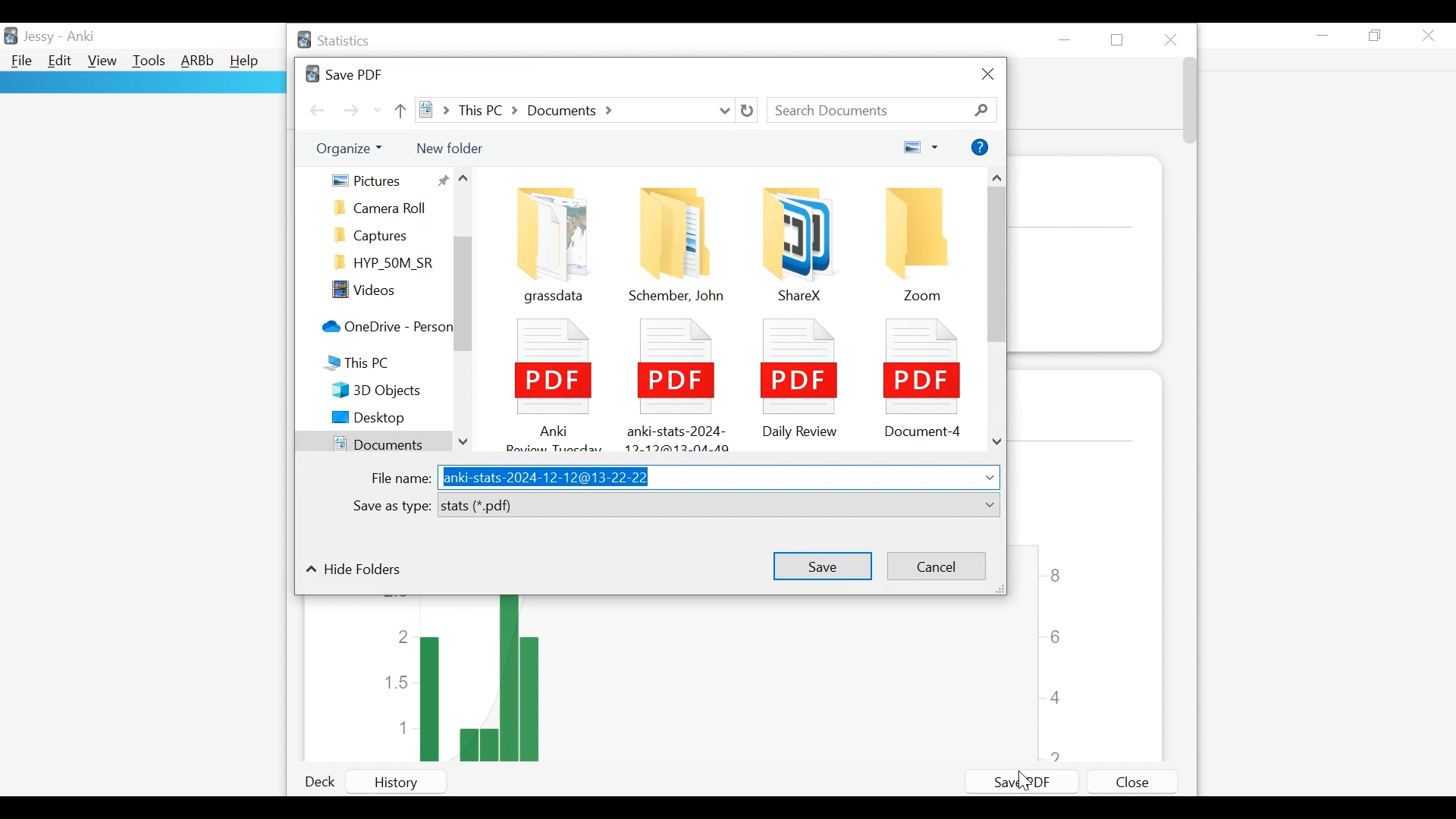 This screenshot has height=819, width=1456. Describe the element at coordinates (336, 41) in the screenshot. I see `Statistics` at that location.